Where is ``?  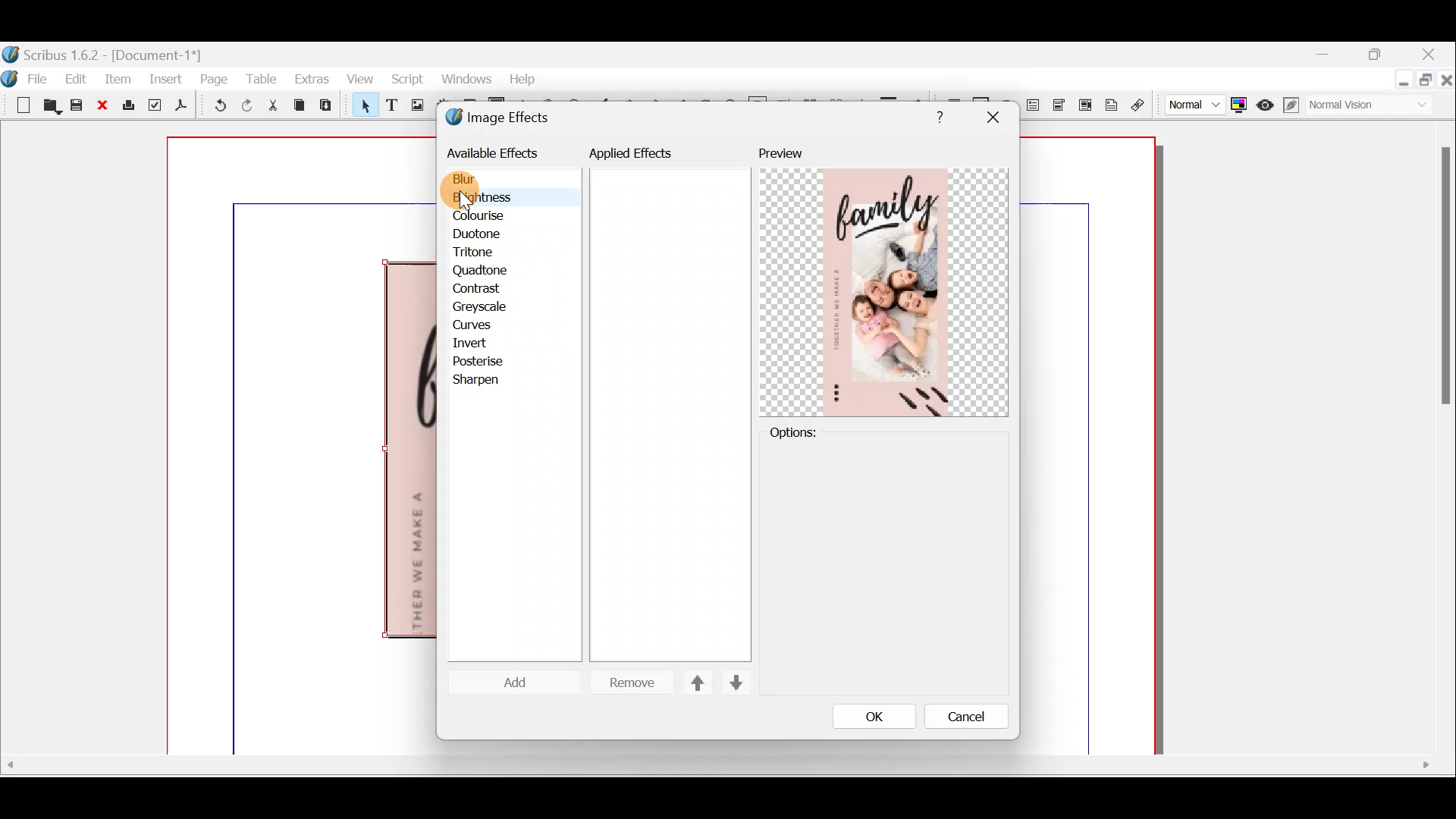  is located at coordinates (720, 765).